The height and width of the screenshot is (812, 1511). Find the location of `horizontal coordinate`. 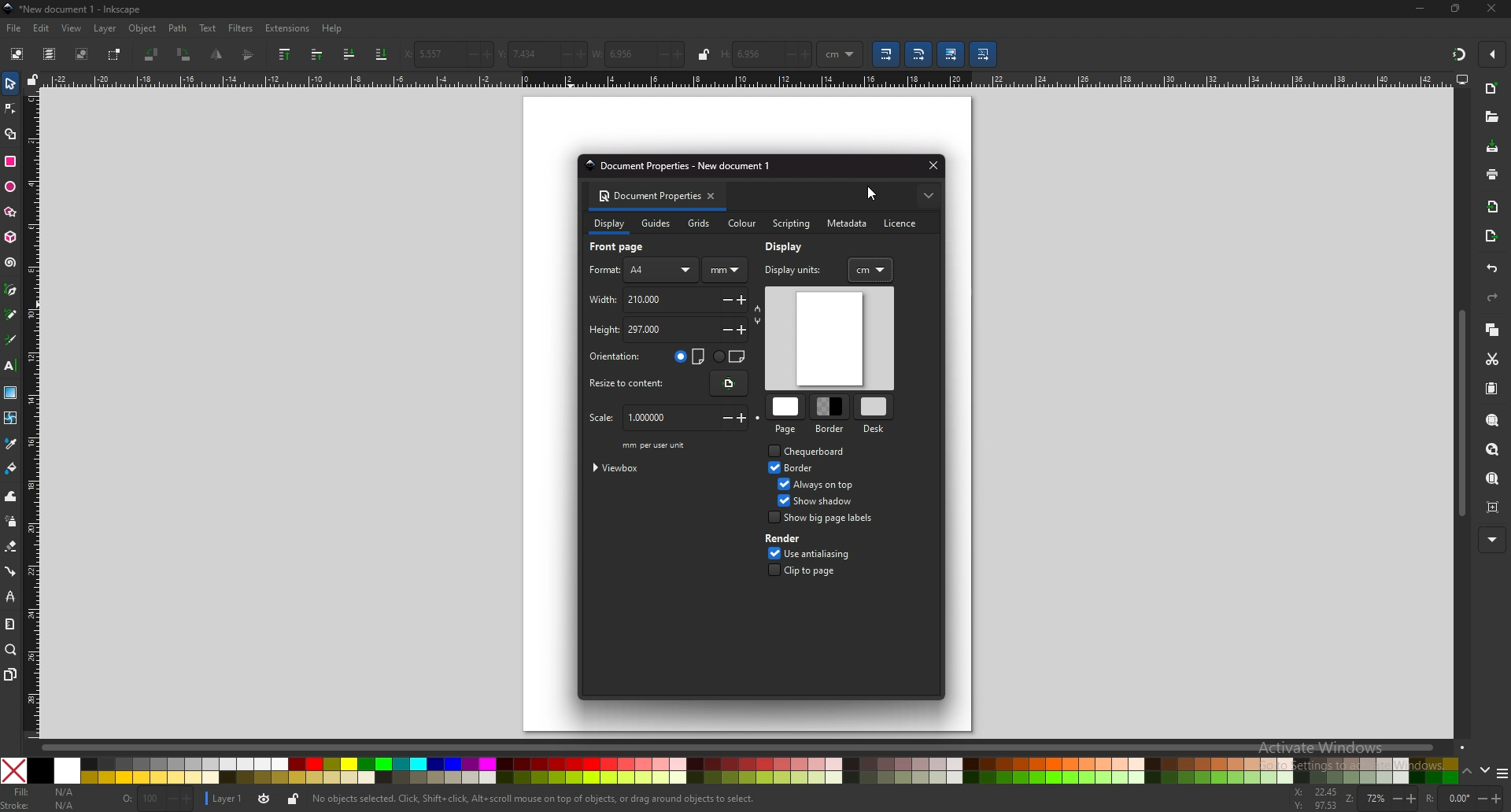

horizontal coordinate is located at coordinates (425, 55).